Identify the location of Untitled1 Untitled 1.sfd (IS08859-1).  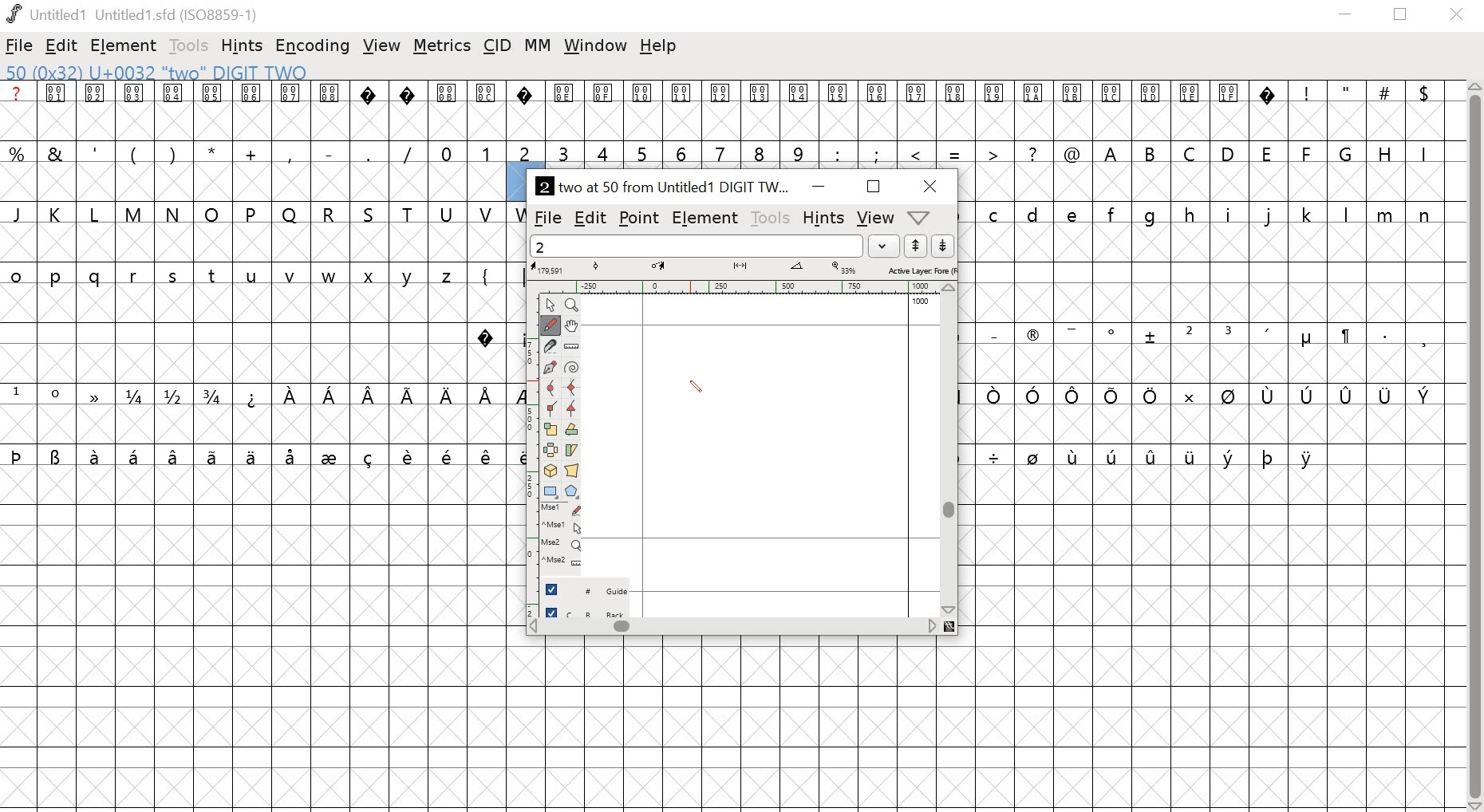
(138, 15).